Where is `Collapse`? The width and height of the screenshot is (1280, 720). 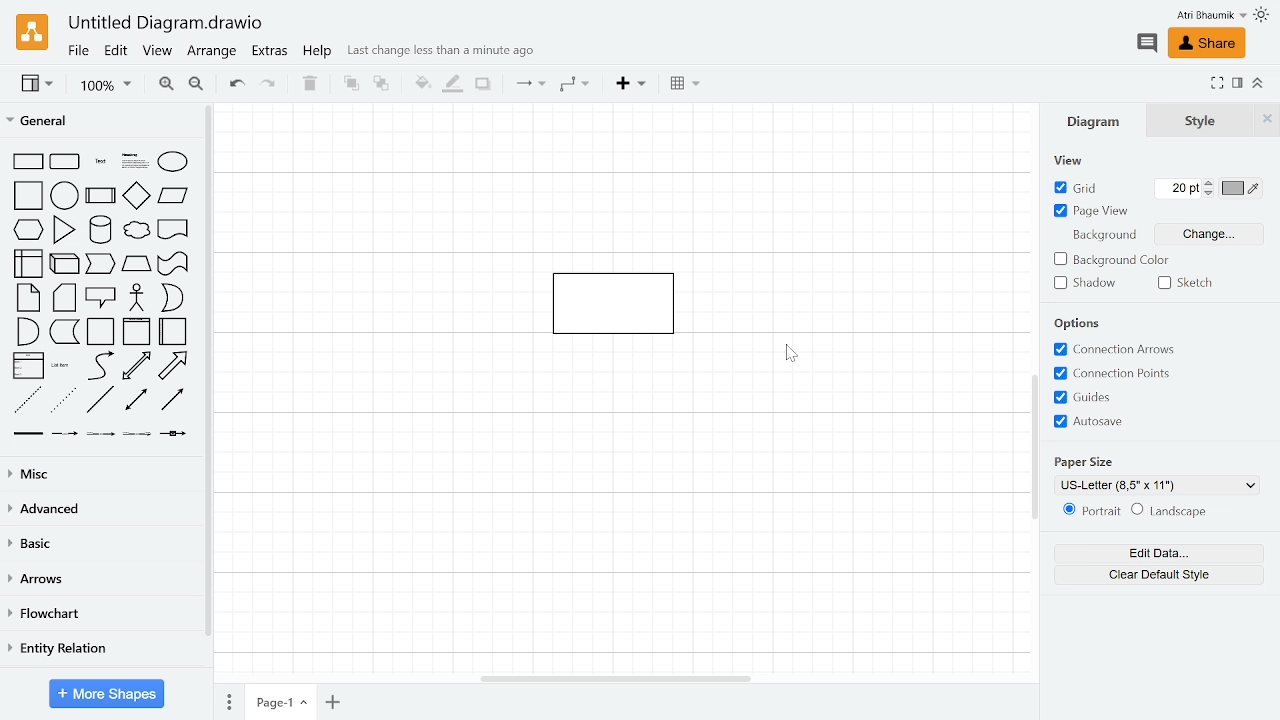 Collapse is located at coordinates (1258, 84).